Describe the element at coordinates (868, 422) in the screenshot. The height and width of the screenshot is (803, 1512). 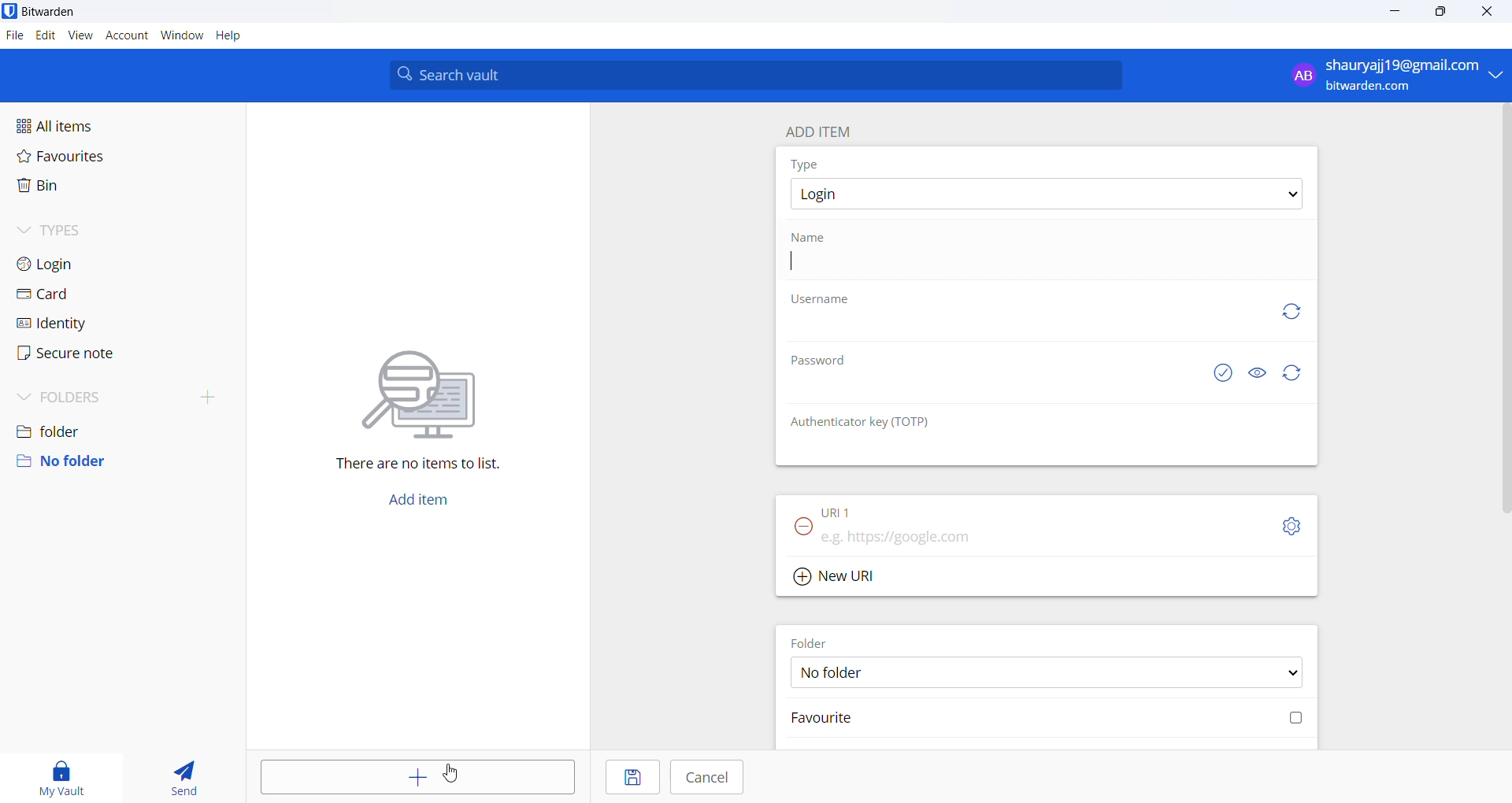
I see `OTP heading: Authenticator key (TOTP)` at that location.